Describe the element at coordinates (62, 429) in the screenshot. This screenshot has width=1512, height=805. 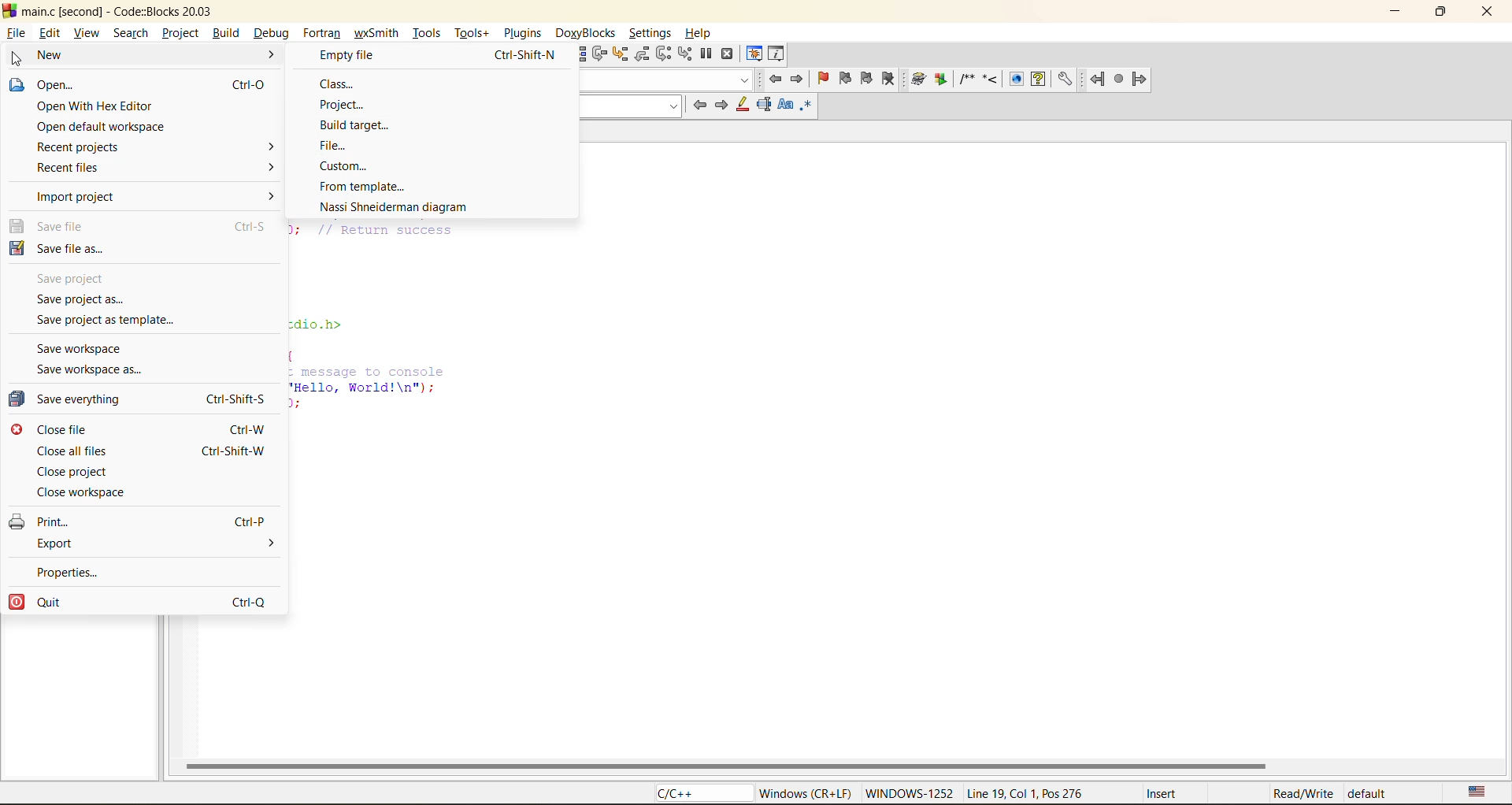
I see `close file` at that location.